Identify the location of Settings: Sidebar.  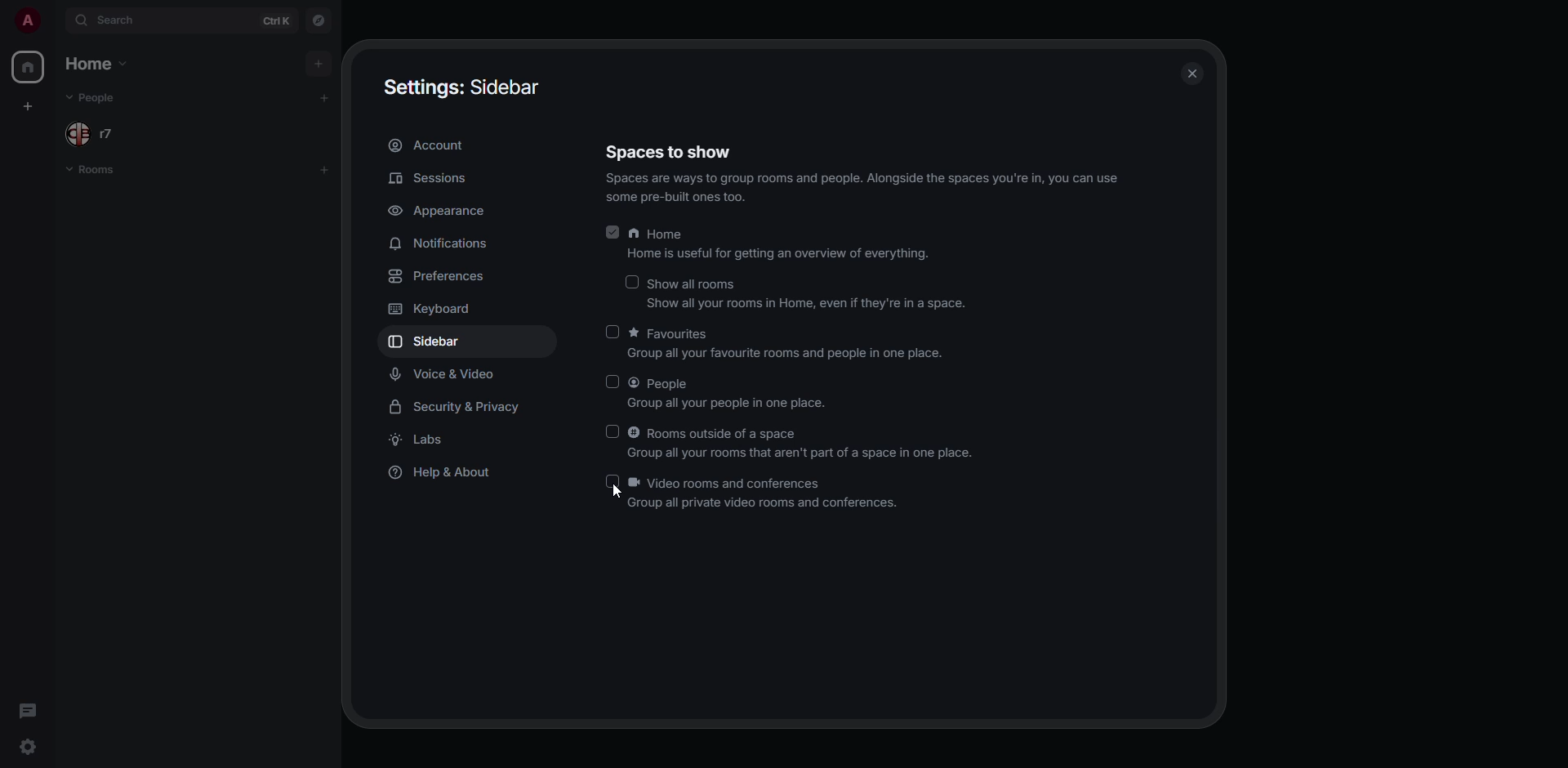
(463, 87).